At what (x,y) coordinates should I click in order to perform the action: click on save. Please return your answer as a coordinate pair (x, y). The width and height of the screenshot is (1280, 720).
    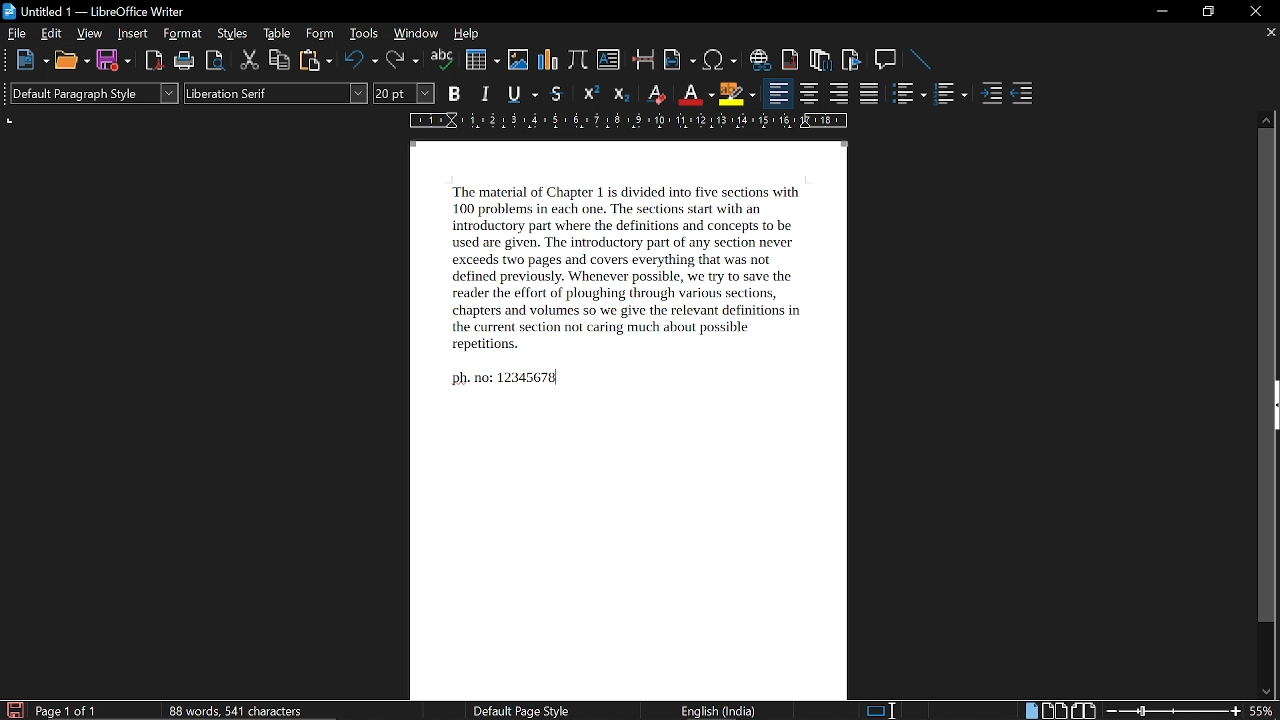
    Looking at the image, I should click on (113, 60).